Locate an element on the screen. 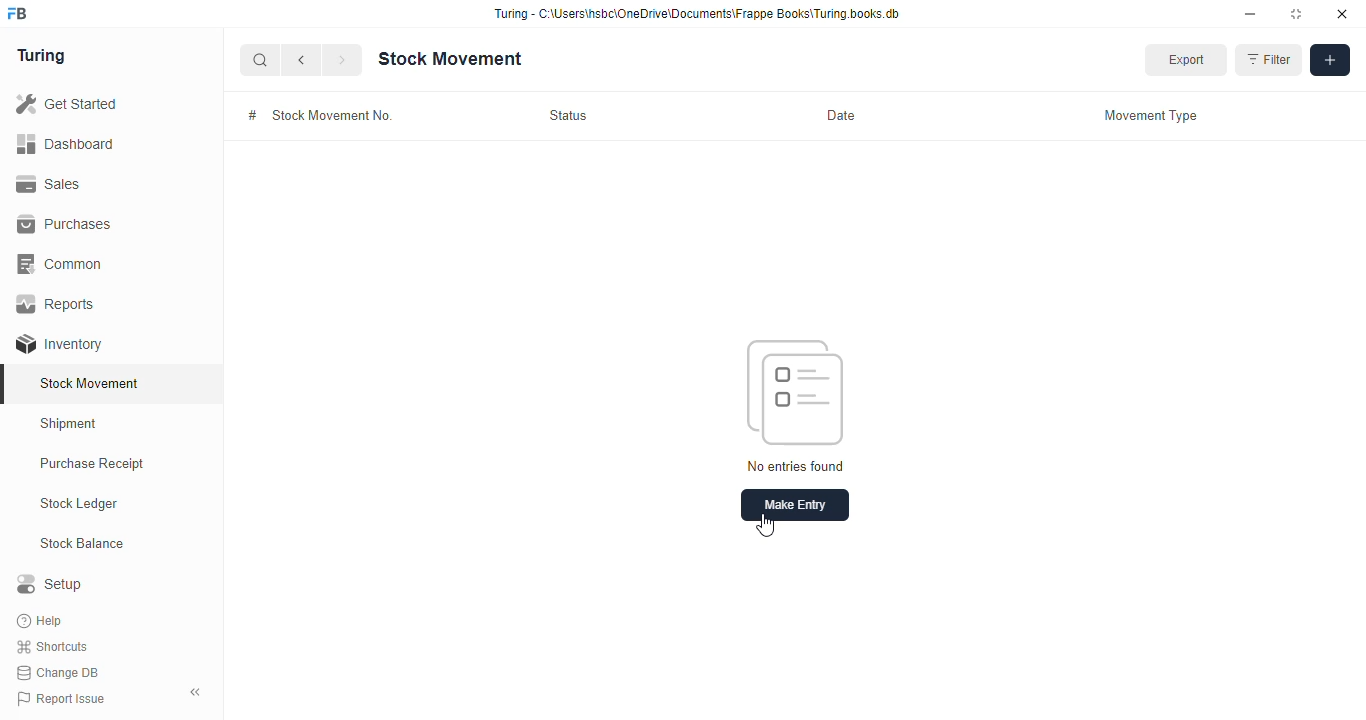  turing is located at coordinates (42, 56).